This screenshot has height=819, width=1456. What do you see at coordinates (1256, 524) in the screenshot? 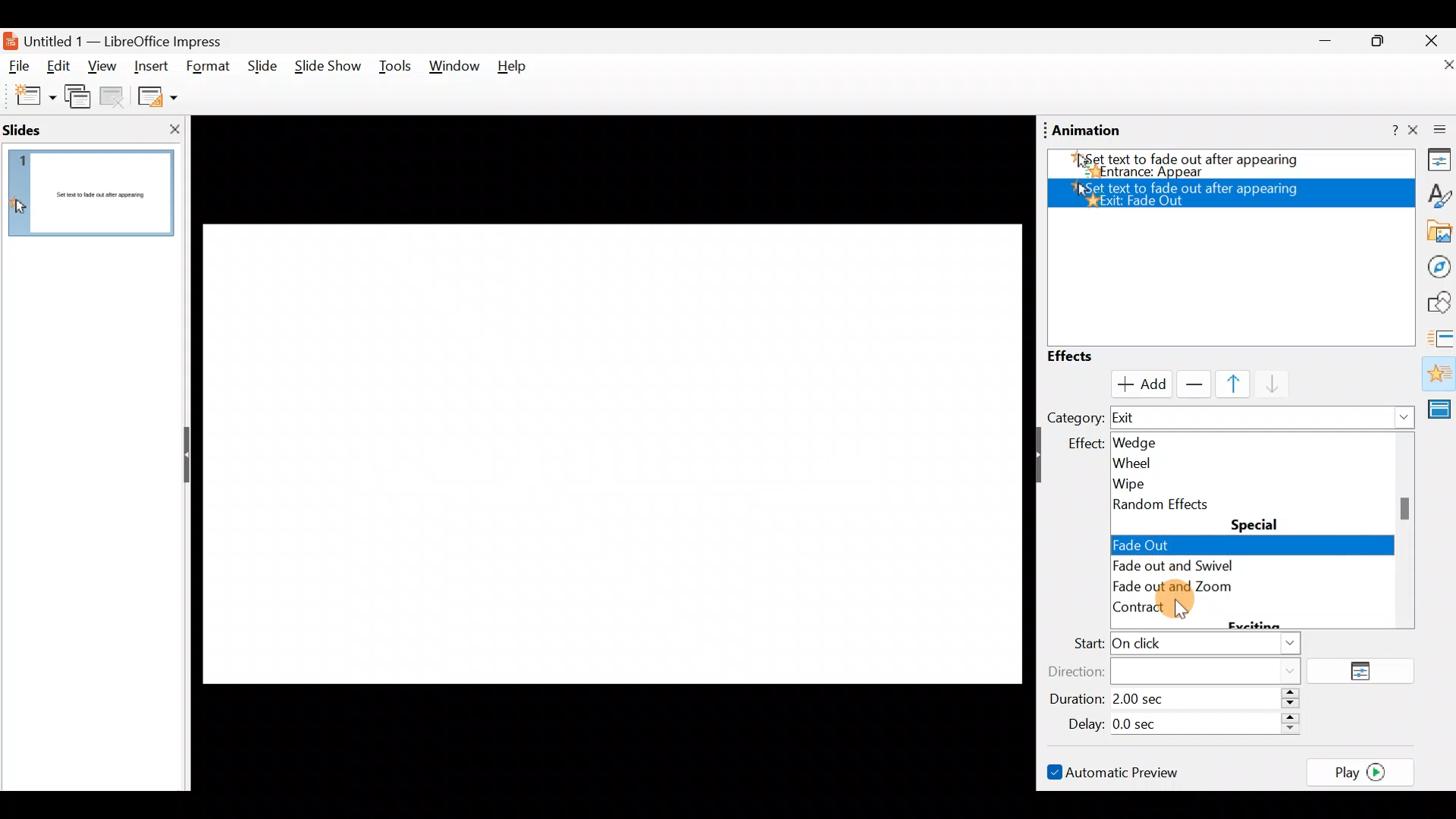
I see `special` at bounding box center [1256, 524].